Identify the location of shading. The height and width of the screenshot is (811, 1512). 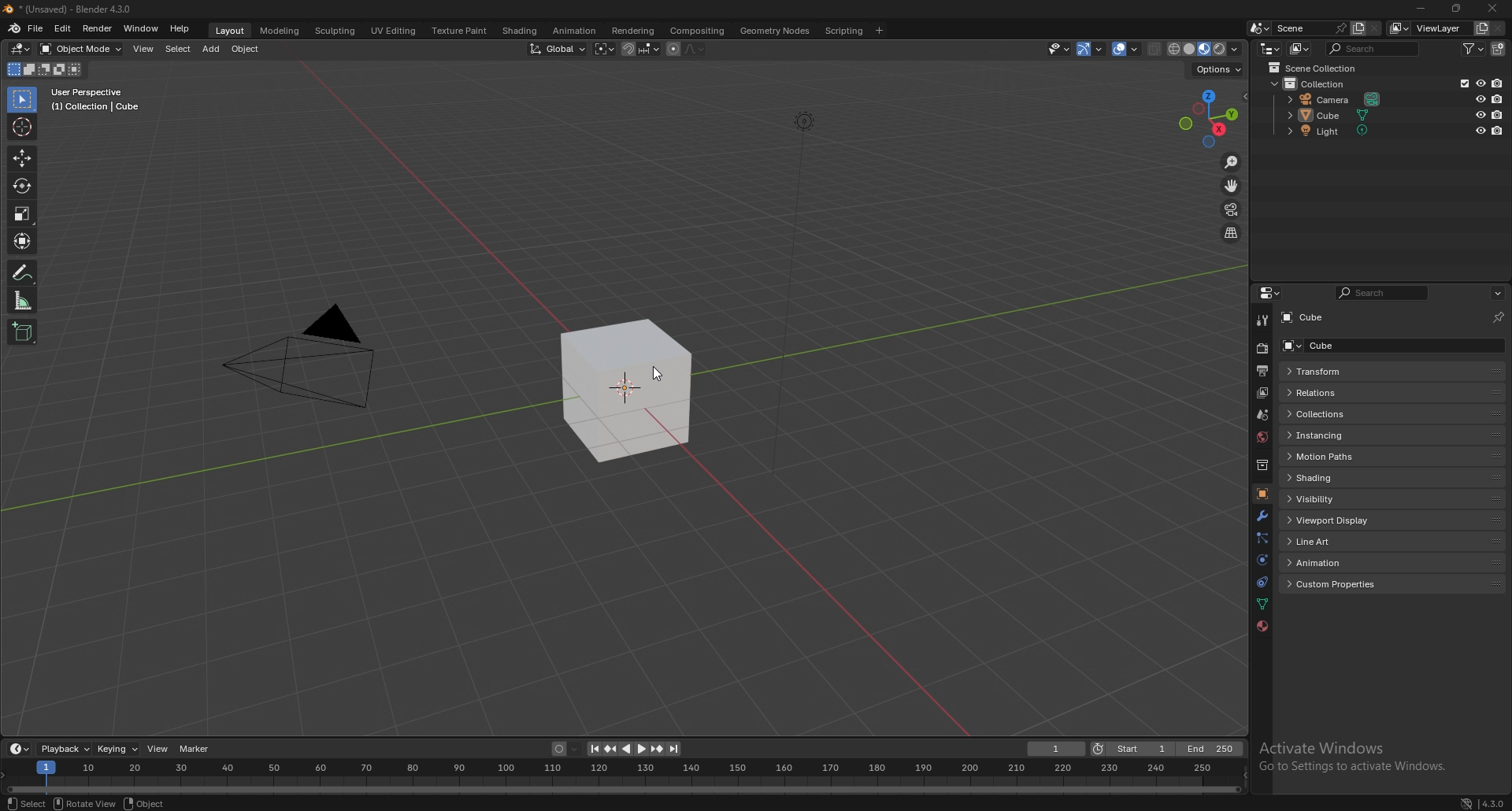
(1335, 479).